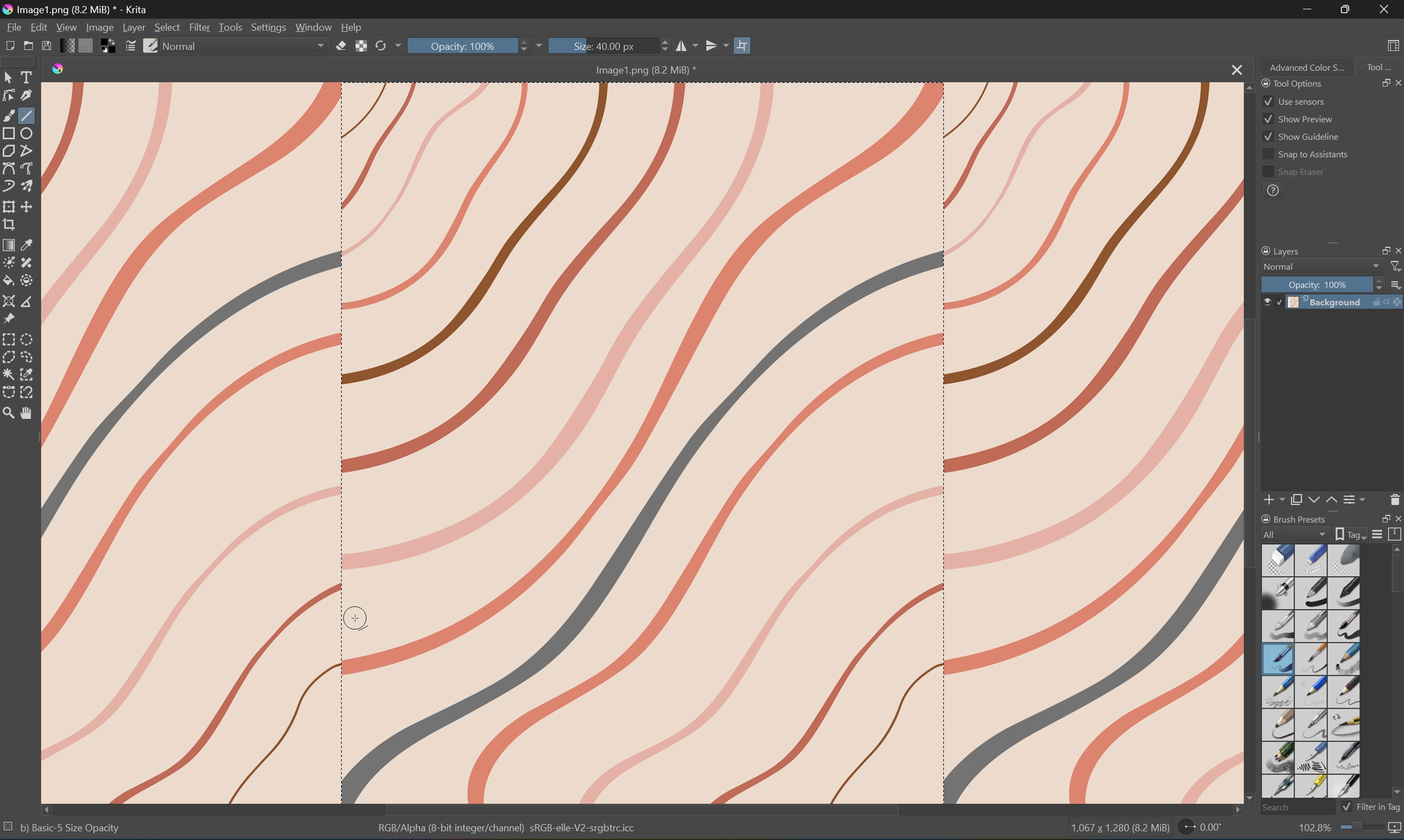  I want to click on Edit brush settings, so click(129, 48).